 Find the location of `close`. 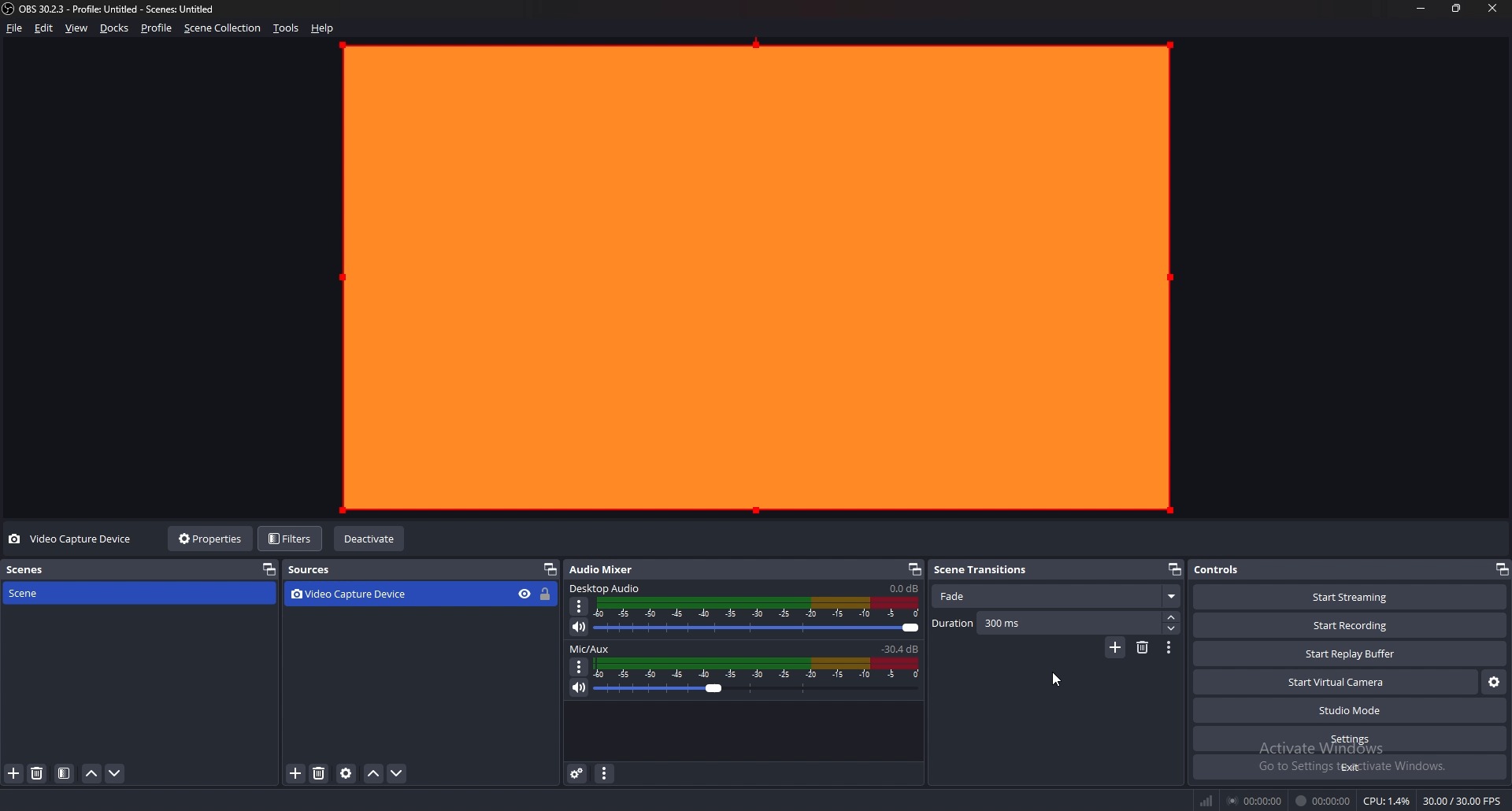

close is located at coordinates (1494, 9).